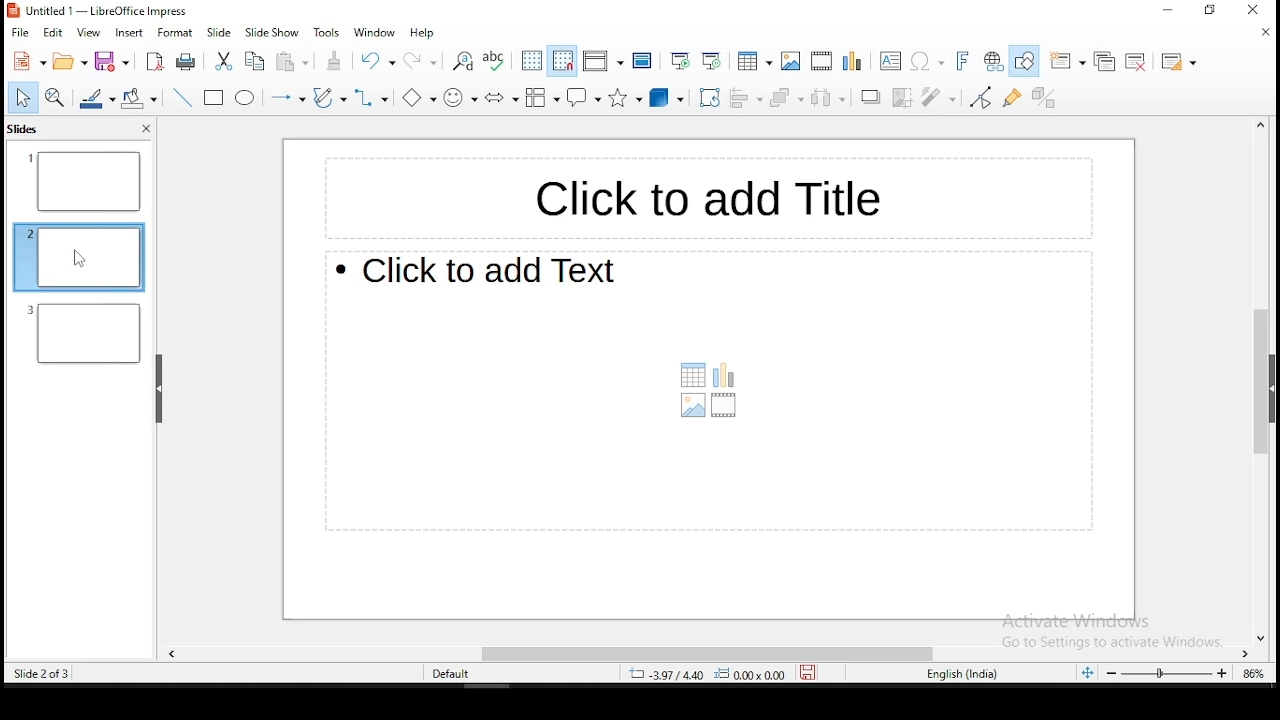 This screenshot has width=1280, height=720. What do you see at coordinates (156, 64) in the screenshot?
I see `export as pdf` at bounding box center [156, 64].